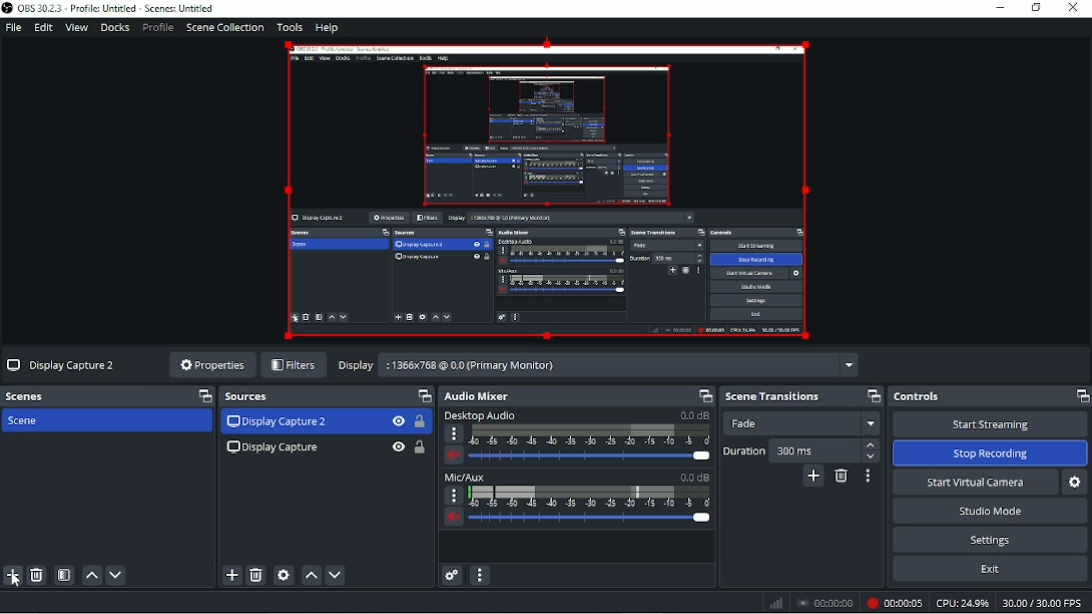 Image resolution: width=1092 pixels, height=614 pixels. What do you see at coordinates (63, 366) in the screenshot?
I see `Display Capture 2` at bounding box center [63, 366].